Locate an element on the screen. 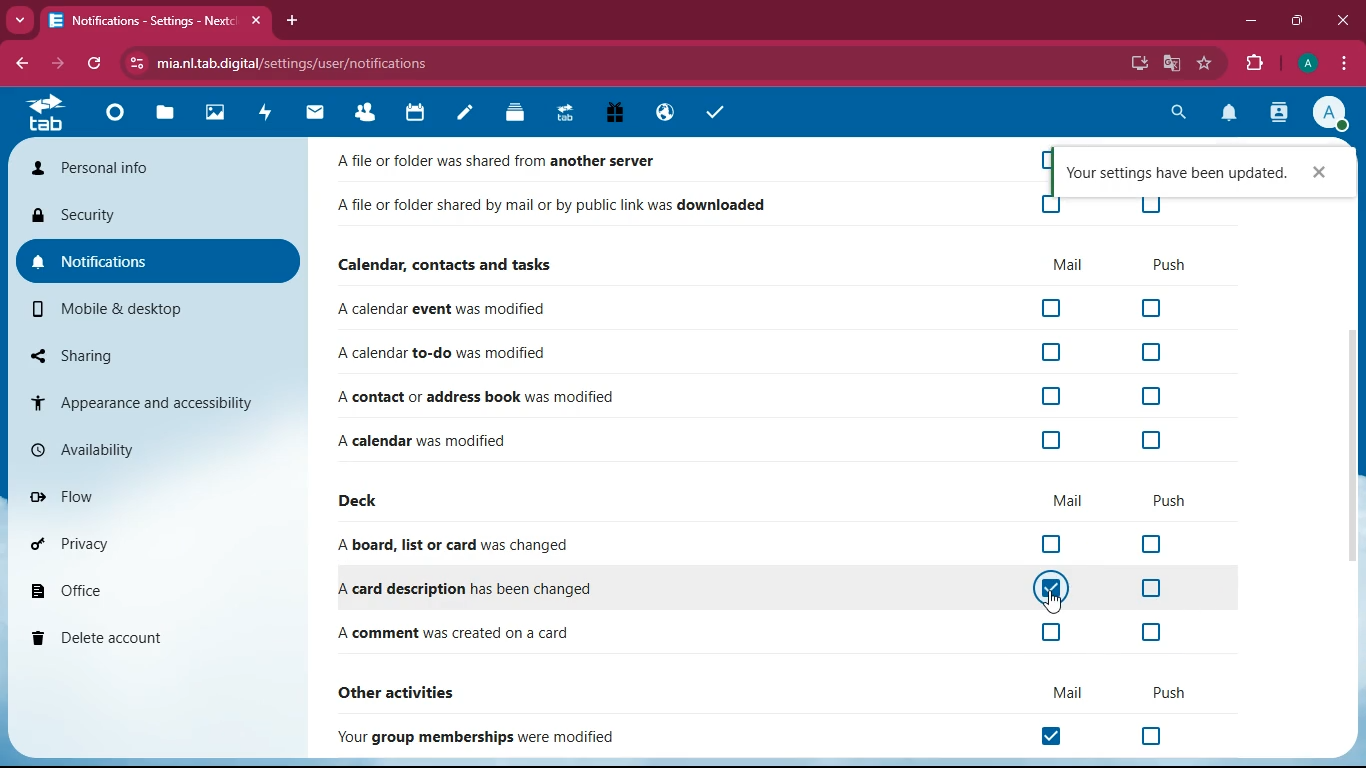 Image resolution: width=1366 pixels, height=768 pixels. off is located at coordinates (1054, 544).